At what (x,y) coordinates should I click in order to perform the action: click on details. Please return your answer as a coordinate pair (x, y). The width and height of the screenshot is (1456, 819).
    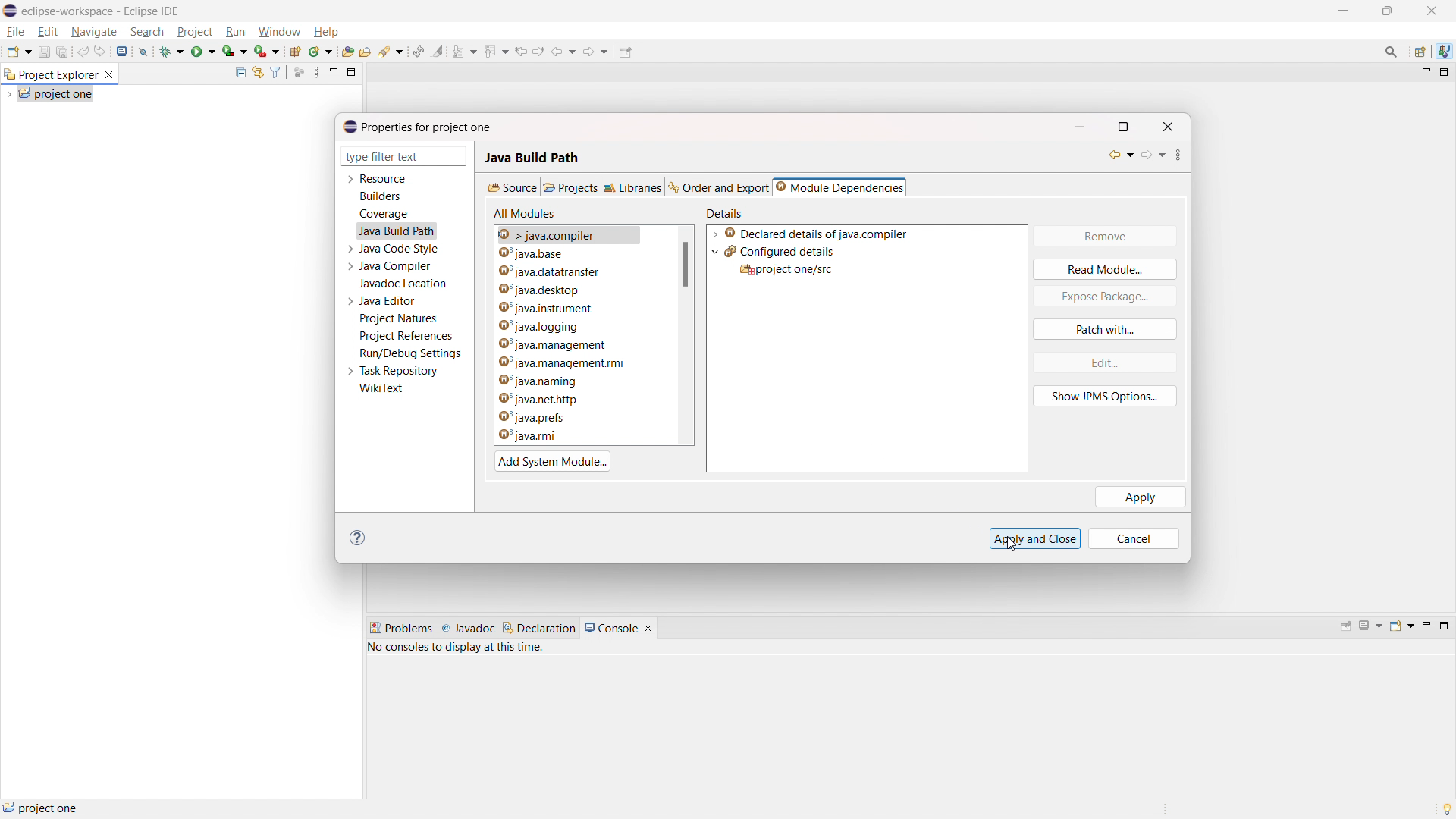
    Looking at the image, I should click on (727, 212).